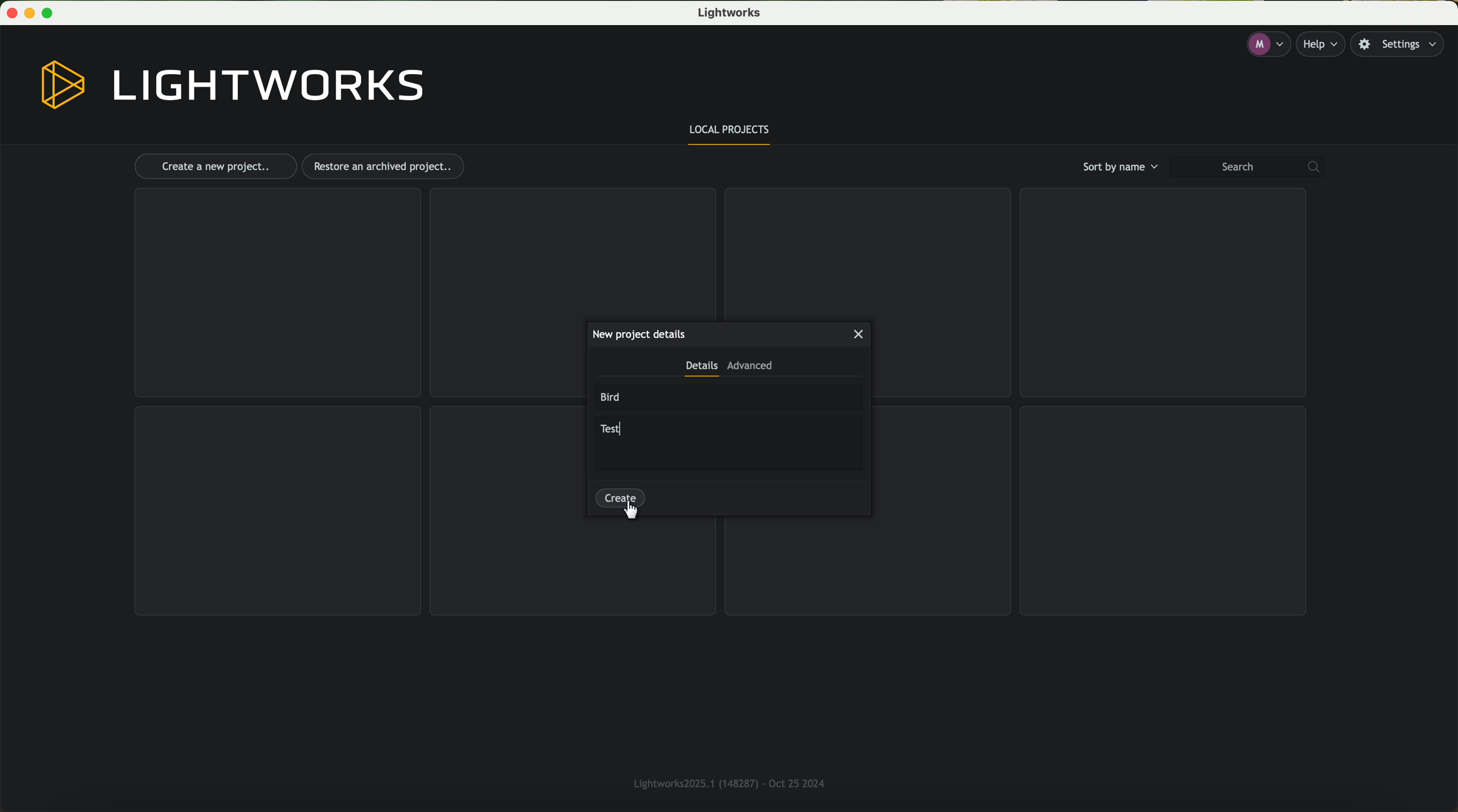 The height and width of the screenshot is (812, 1458). What do you see at coordinates (1267, 45) in the screenshot?
I see `profile` at bounding box center [1267, 45].